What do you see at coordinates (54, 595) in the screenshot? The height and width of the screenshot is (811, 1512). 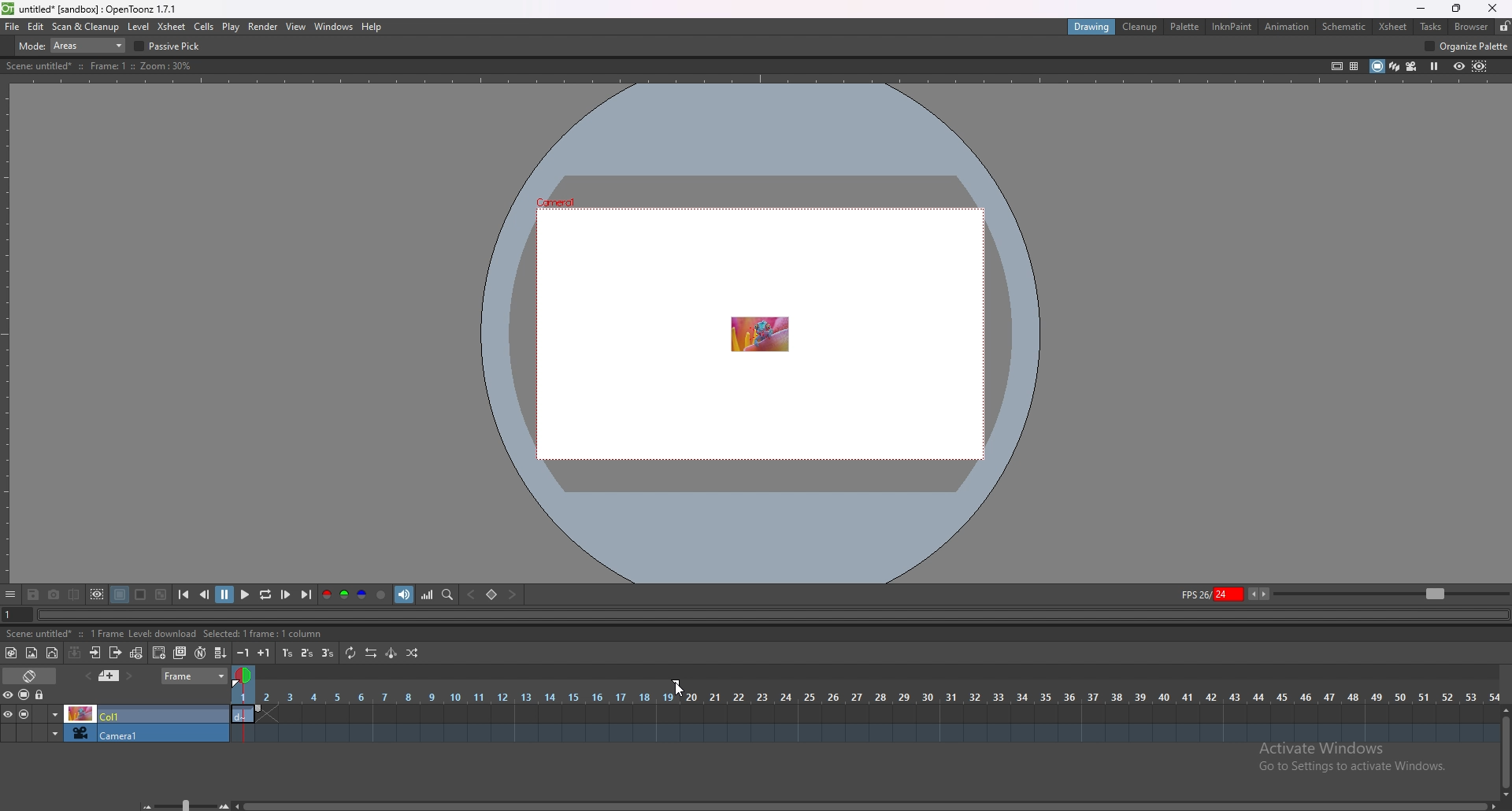 I see `snapshot` at bounding box center [54, 595].